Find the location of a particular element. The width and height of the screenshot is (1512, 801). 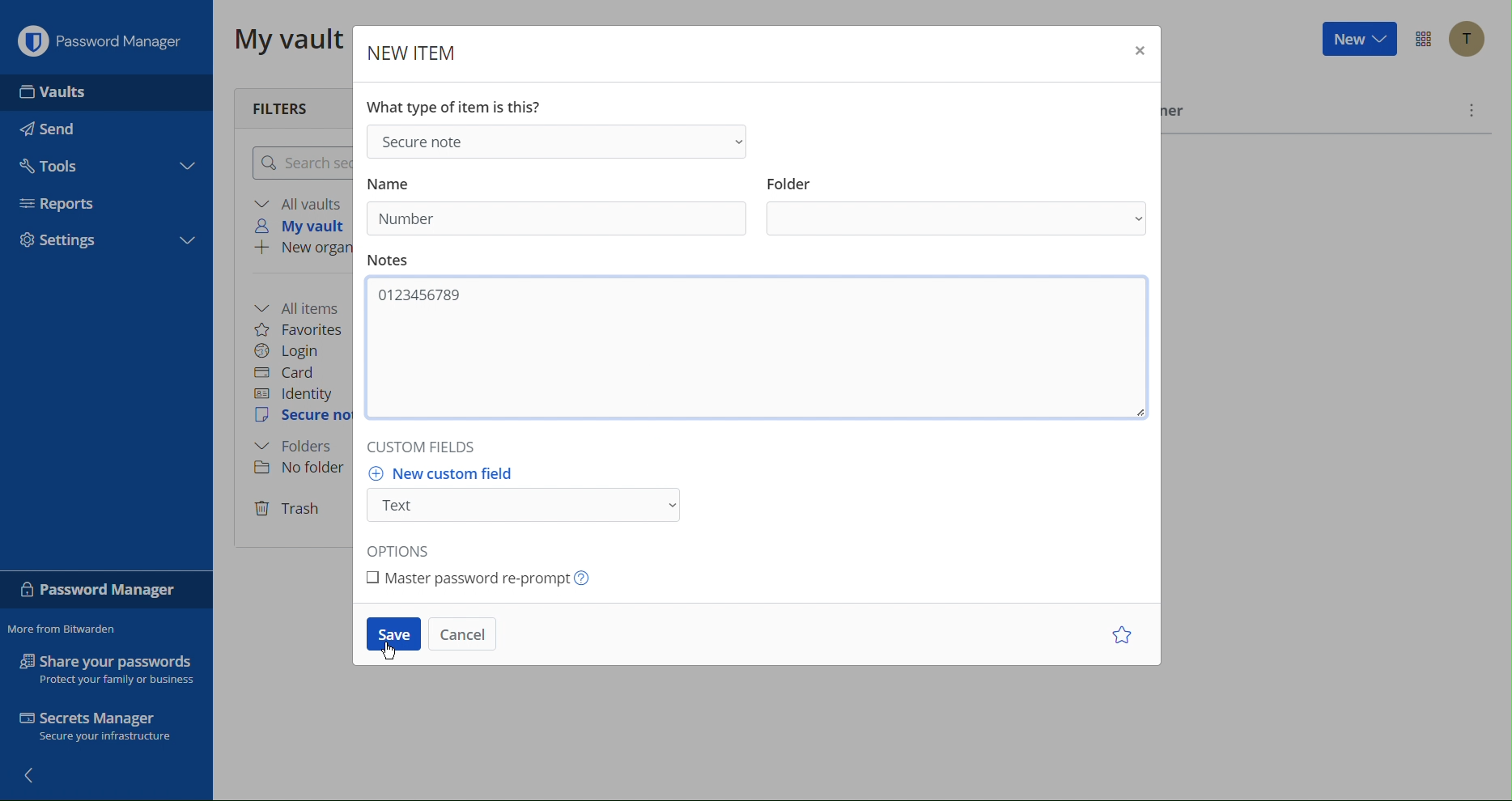

New is located at coordinates (1357, 41).